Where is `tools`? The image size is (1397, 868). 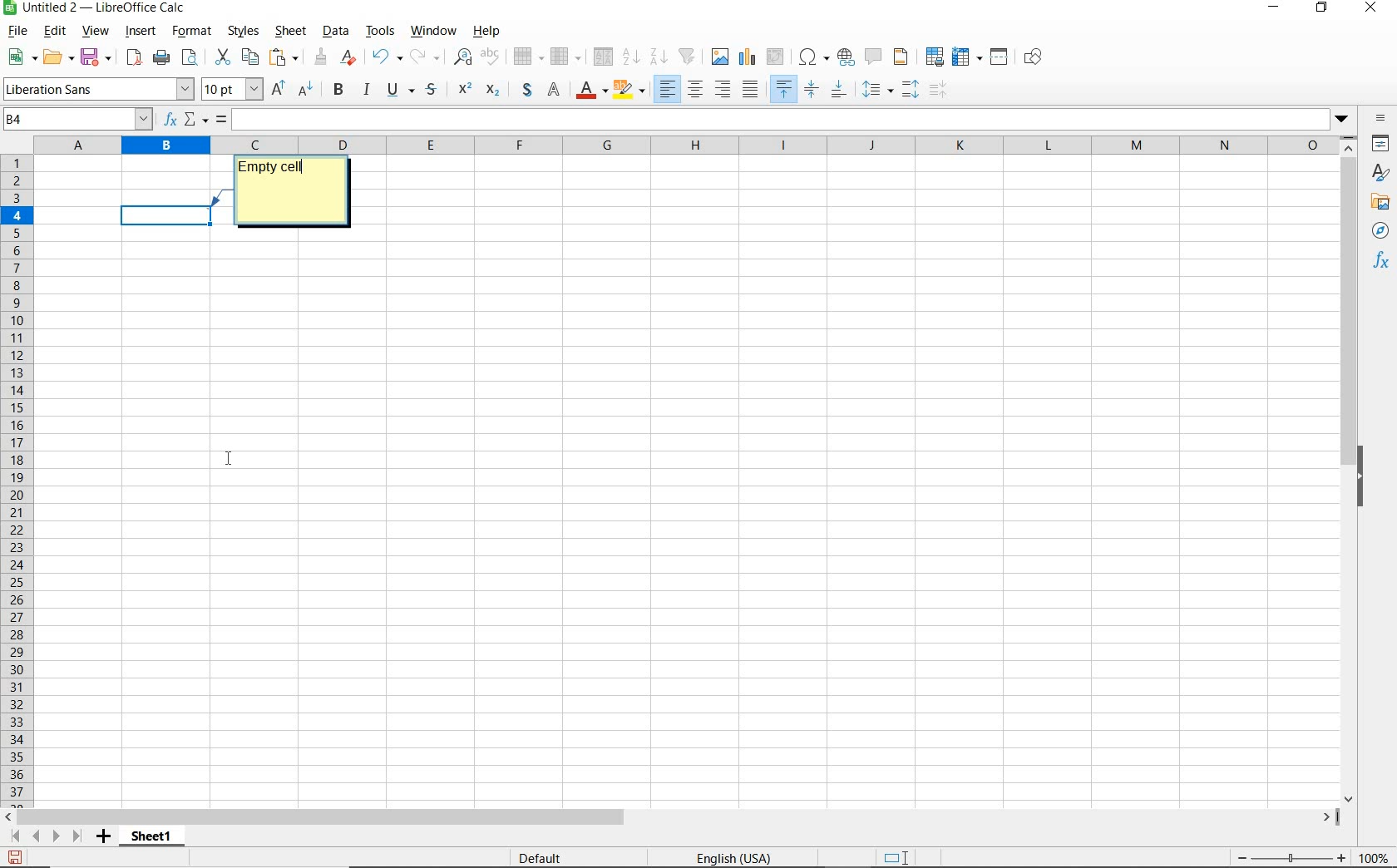 tools is located at coordinates (381, 32).